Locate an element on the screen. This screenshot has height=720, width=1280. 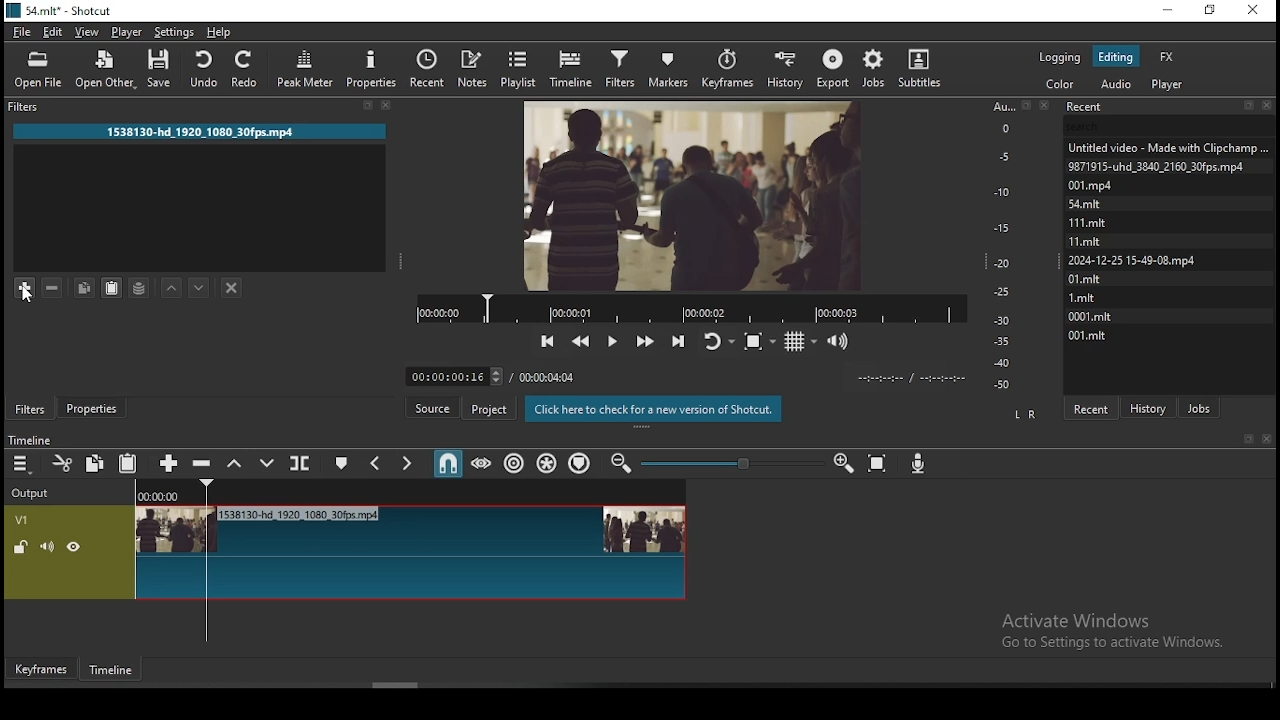
toggle grid display on the player is located at coordinates (800, 341).